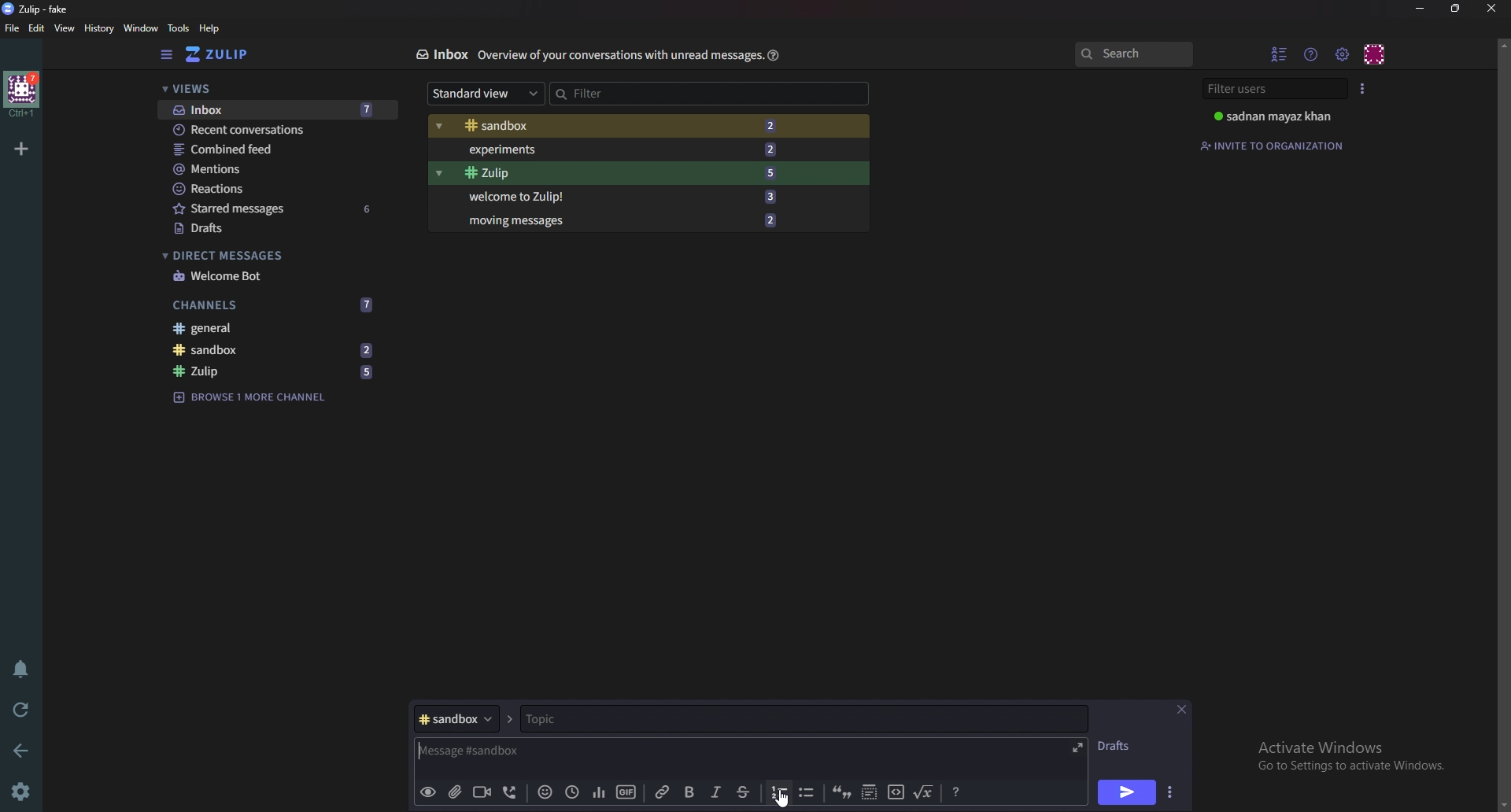 This screenshot has height=812, width=1511. Describe the element at coordinates (277, 170) in the screenshot. I see `mentions` at that location.